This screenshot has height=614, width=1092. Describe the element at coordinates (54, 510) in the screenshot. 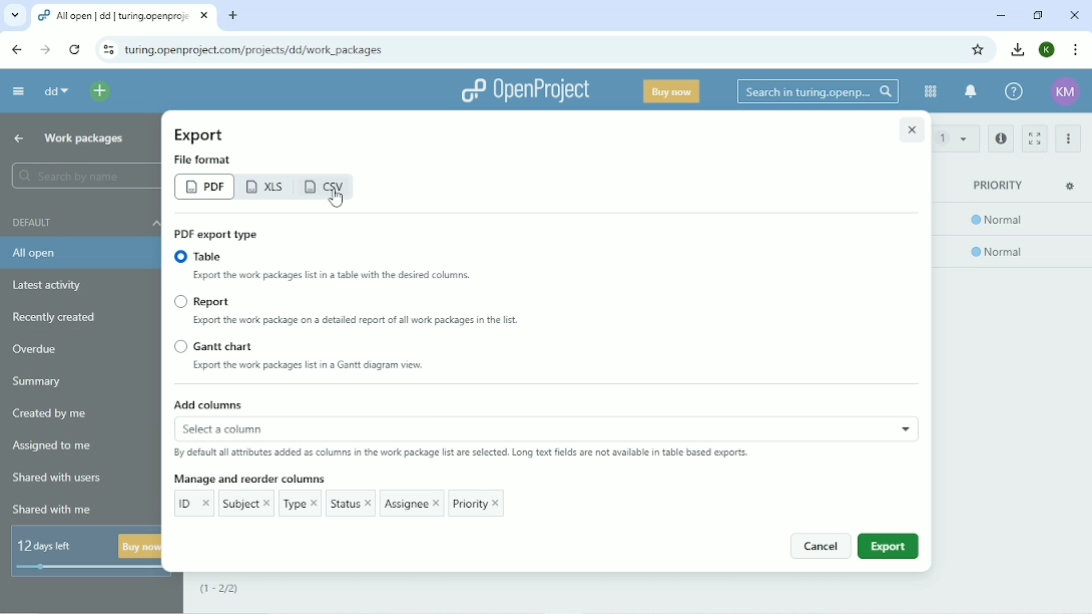

I see `Shared with me` at that location.